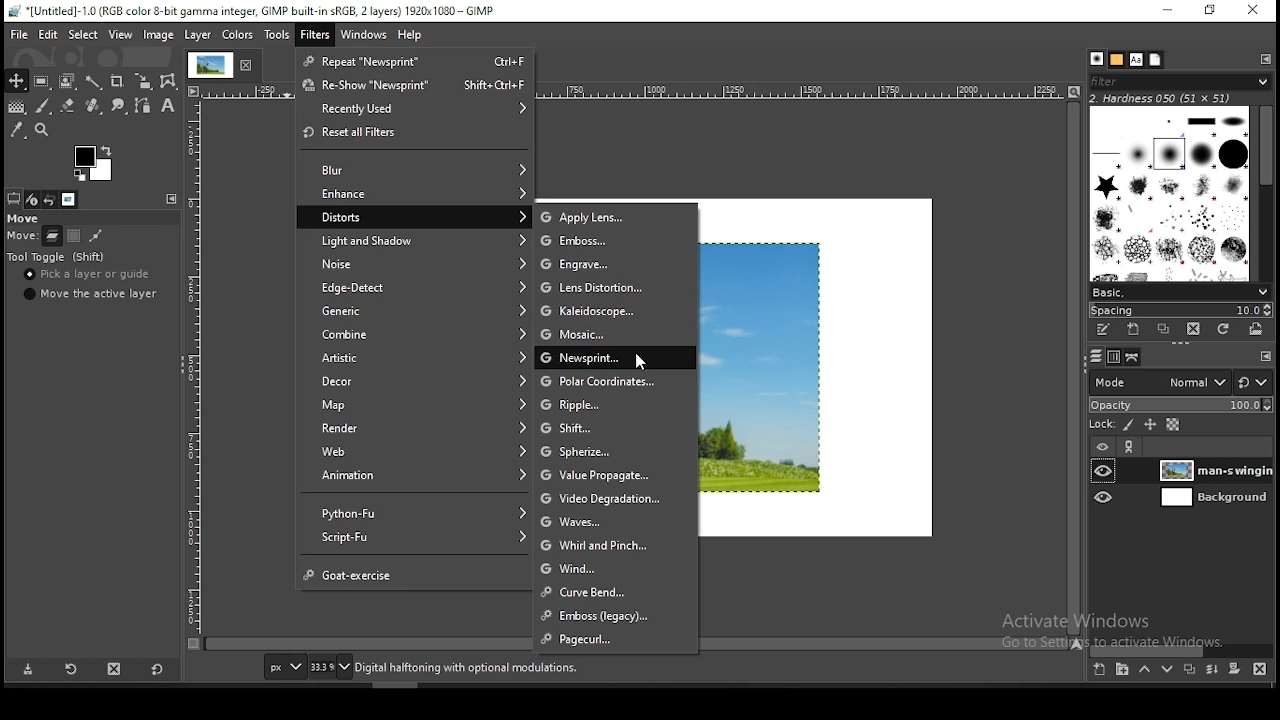  What do you see at coordinates (1169, 11) in the screenshot?
I see `minimize` at bounding box center [1169, 11].